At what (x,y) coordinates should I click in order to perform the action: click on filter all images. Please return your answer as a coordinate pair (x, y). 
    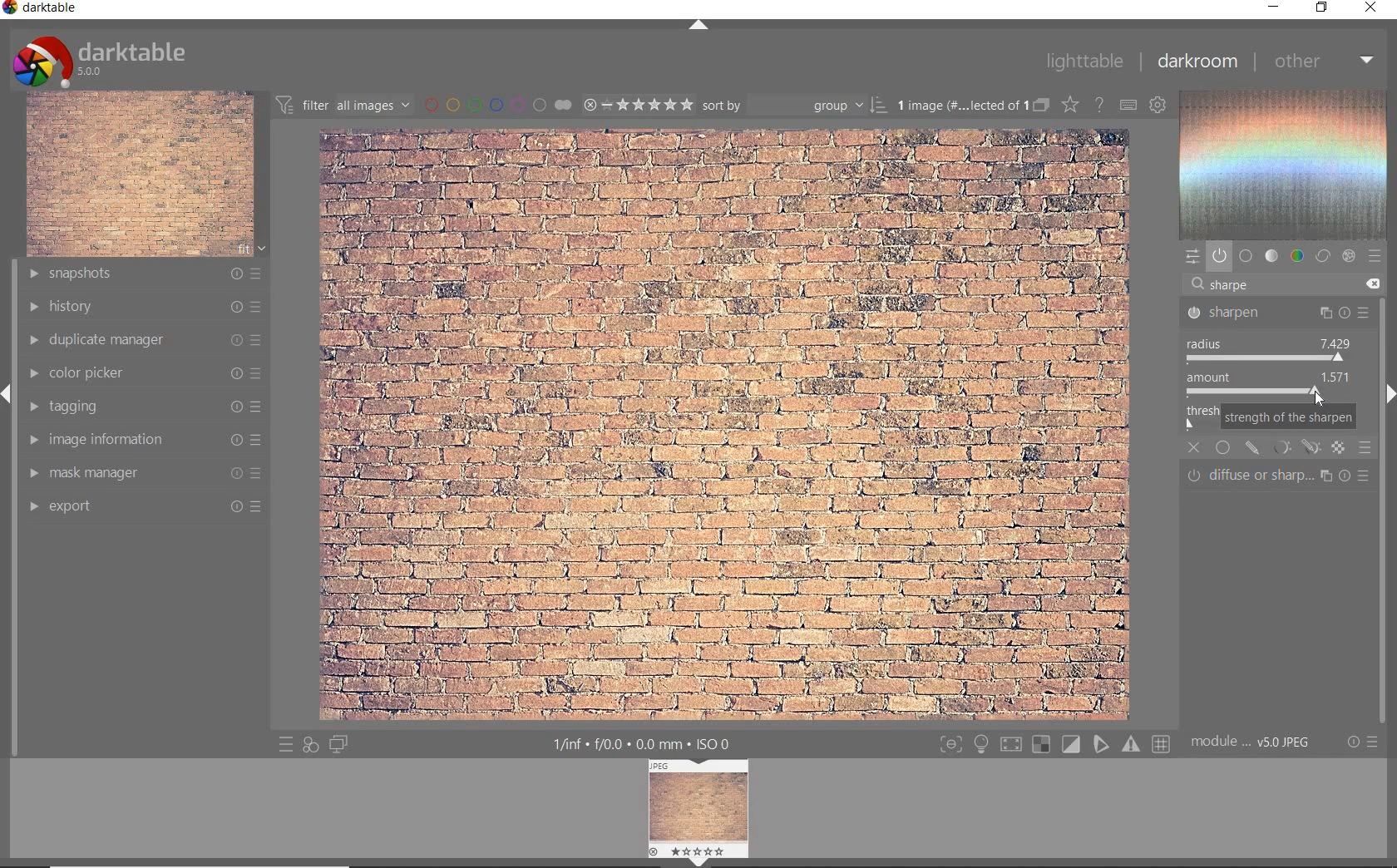
    Looking at the image, I should click on (343, 103).